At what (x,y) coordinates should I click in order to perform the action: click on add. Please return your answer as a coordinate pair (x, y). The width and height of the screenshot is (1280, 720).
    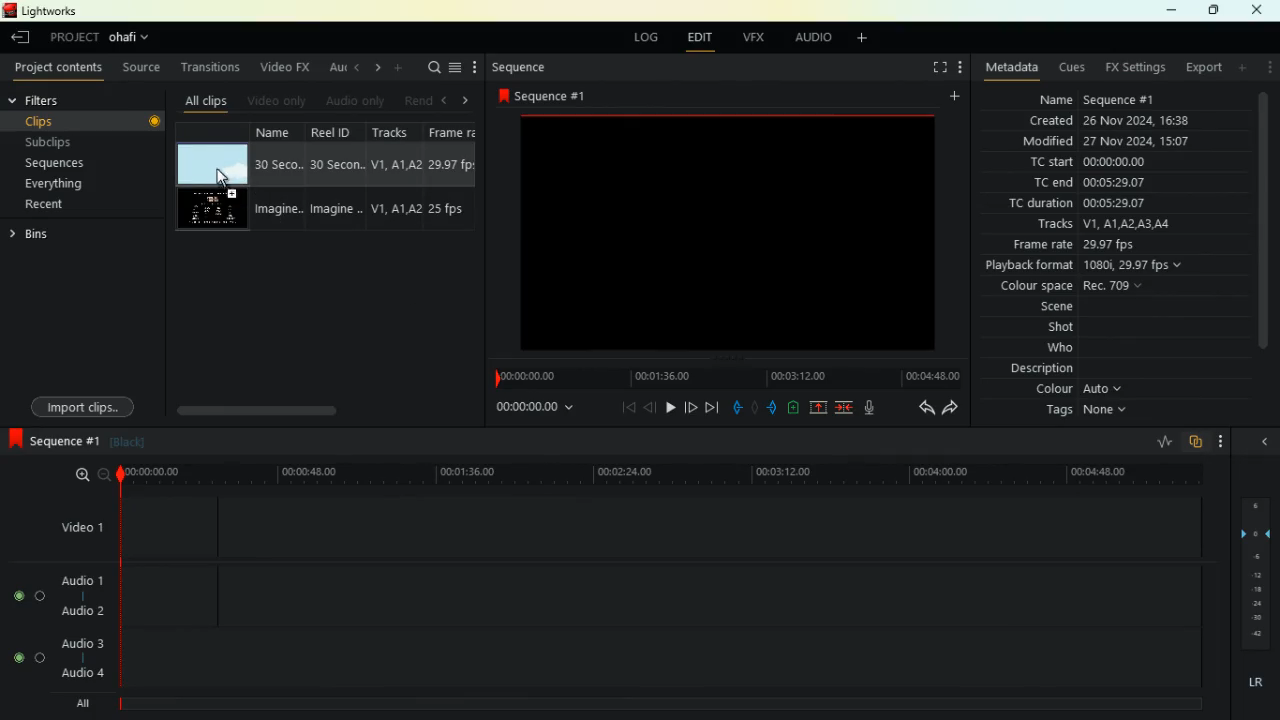
    Looking at the image, I should click on (860, 39).